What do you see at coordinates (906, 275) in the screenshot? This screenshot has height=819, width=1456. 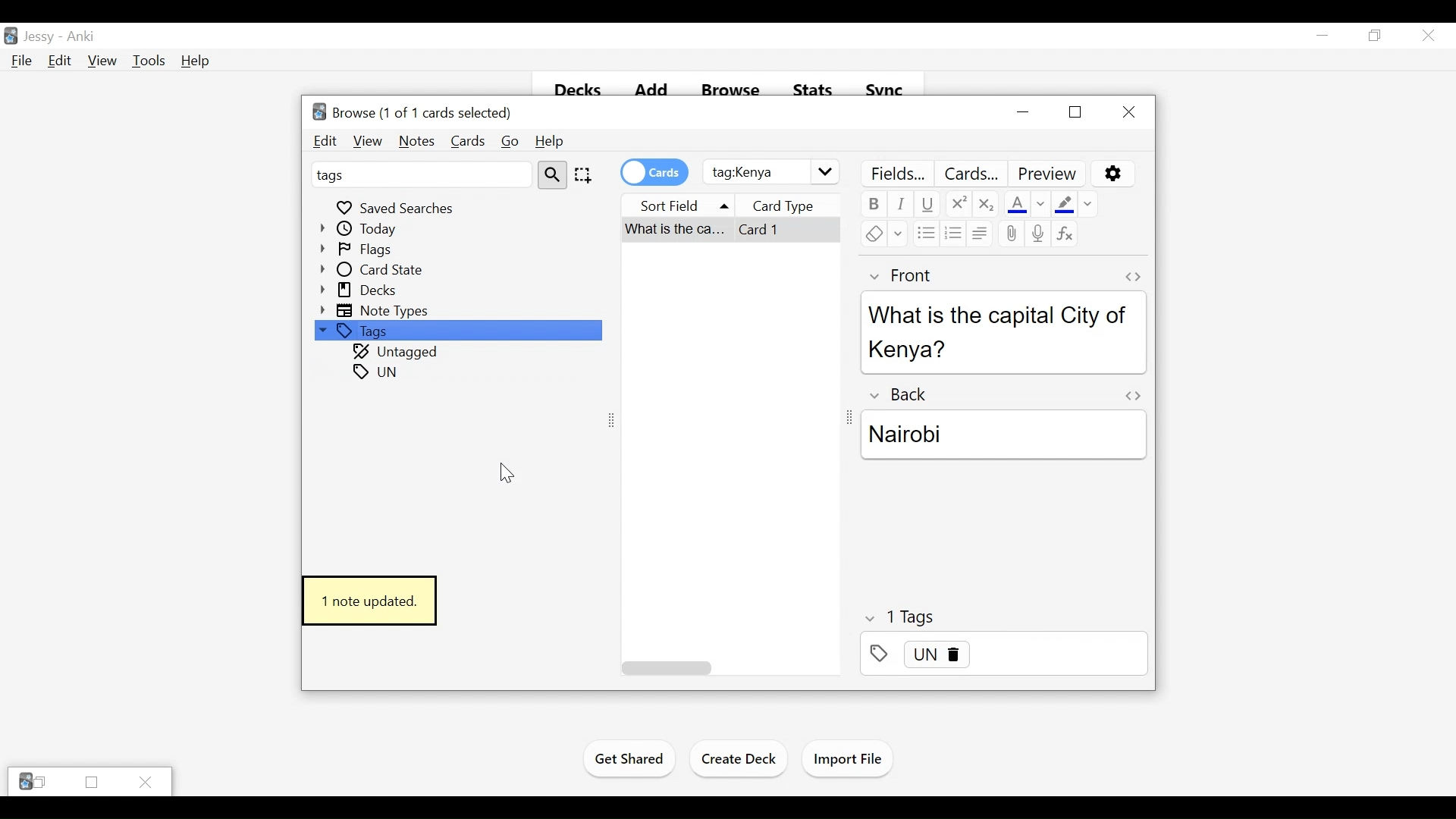 I see `Front` at bounding box center [906, 275].